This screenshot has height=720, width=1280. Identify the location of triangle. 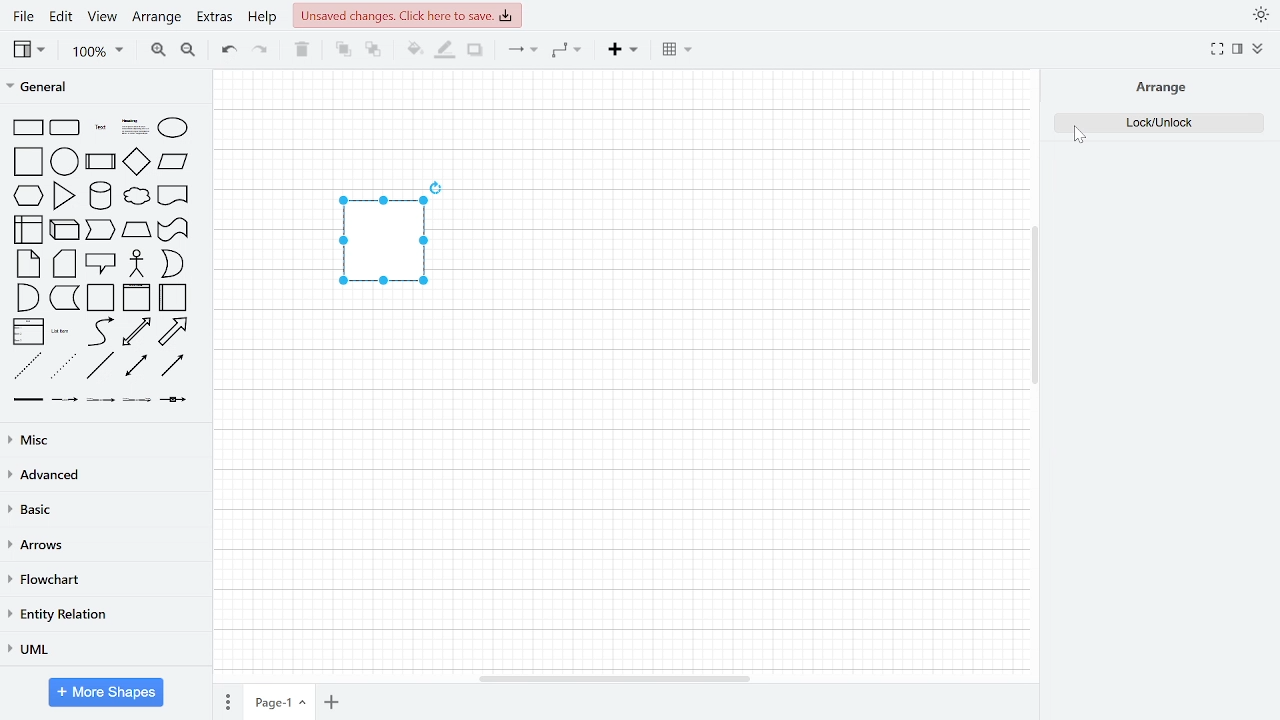
(65, 194).